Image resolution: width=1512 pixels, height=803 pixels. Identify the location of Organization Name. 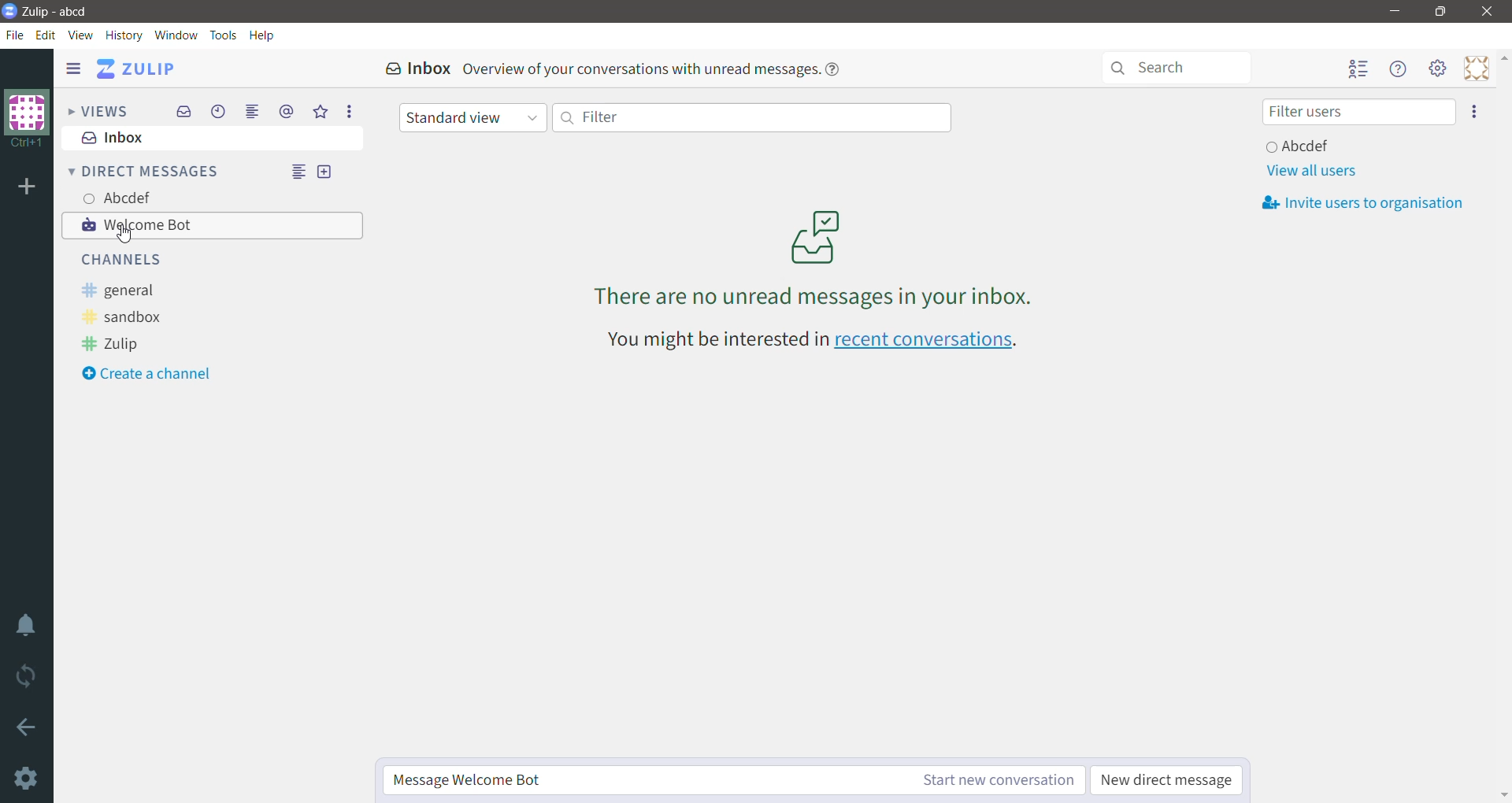
(25, 119).